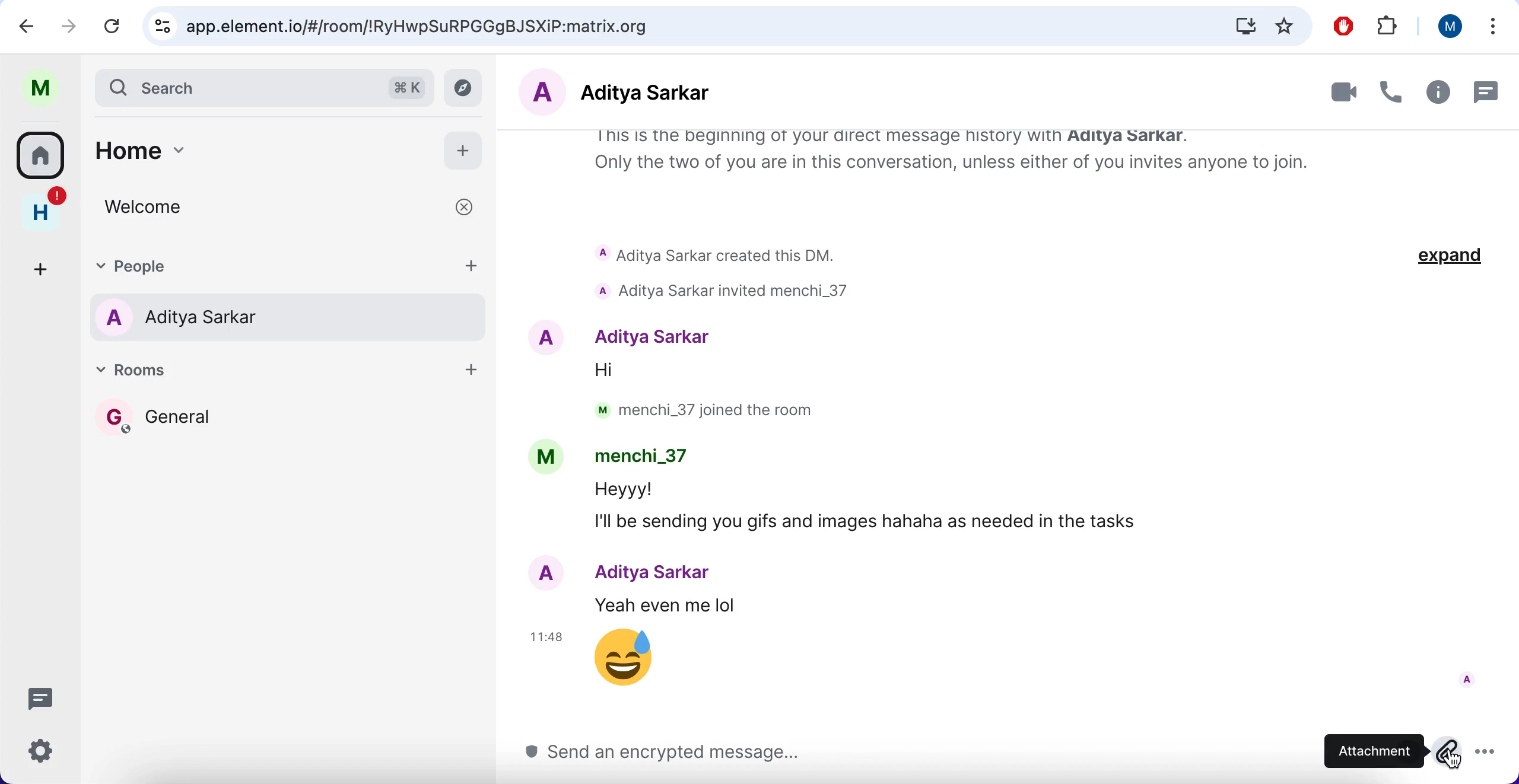  What do you see at coordinates (535, 636) in the screenshot?
I see `11:48` at bounding box center [535, 636].